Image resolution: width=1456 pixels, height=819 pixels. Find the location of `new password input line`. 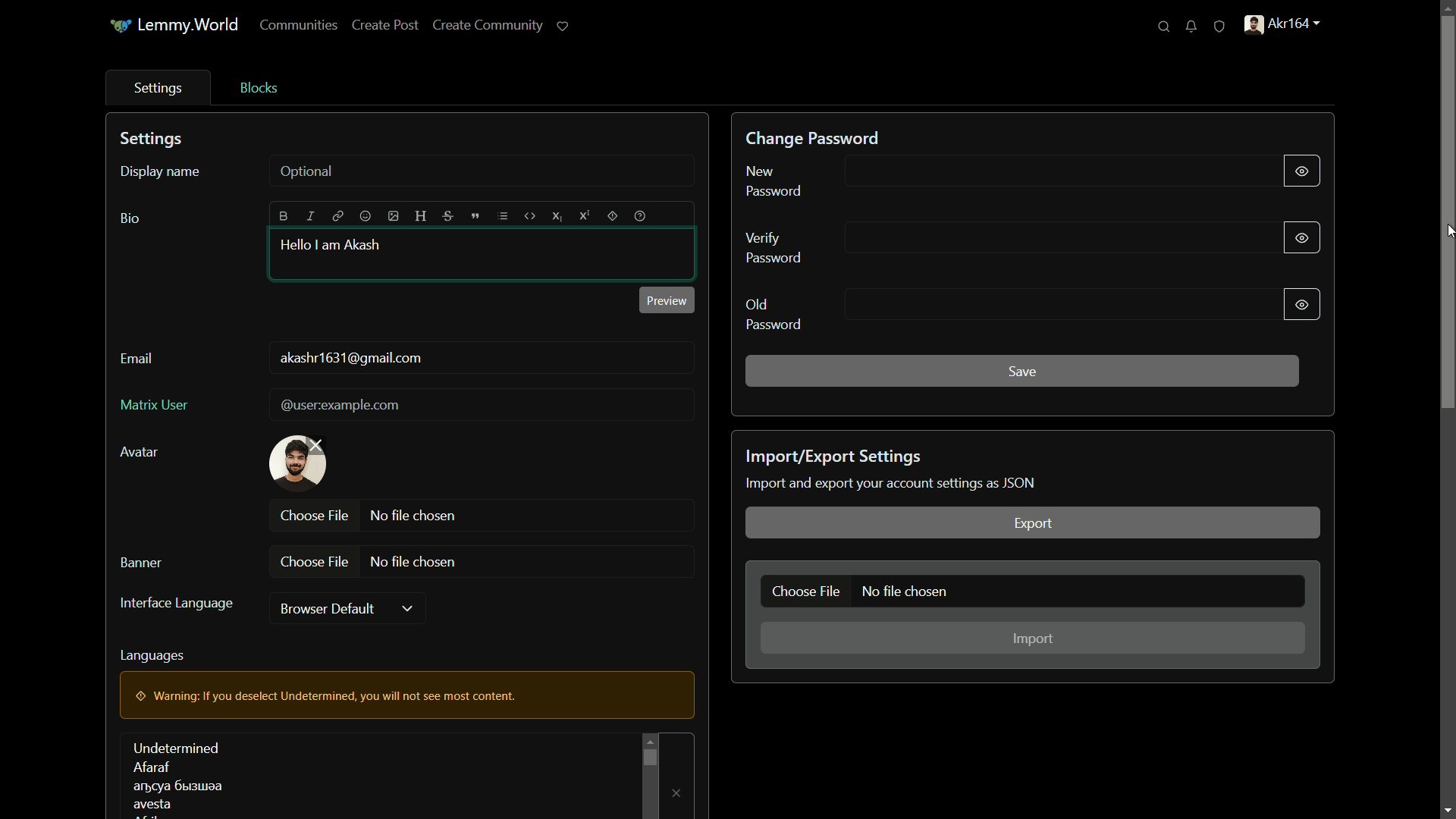

new password input line is located at coordinates (1056, 173).